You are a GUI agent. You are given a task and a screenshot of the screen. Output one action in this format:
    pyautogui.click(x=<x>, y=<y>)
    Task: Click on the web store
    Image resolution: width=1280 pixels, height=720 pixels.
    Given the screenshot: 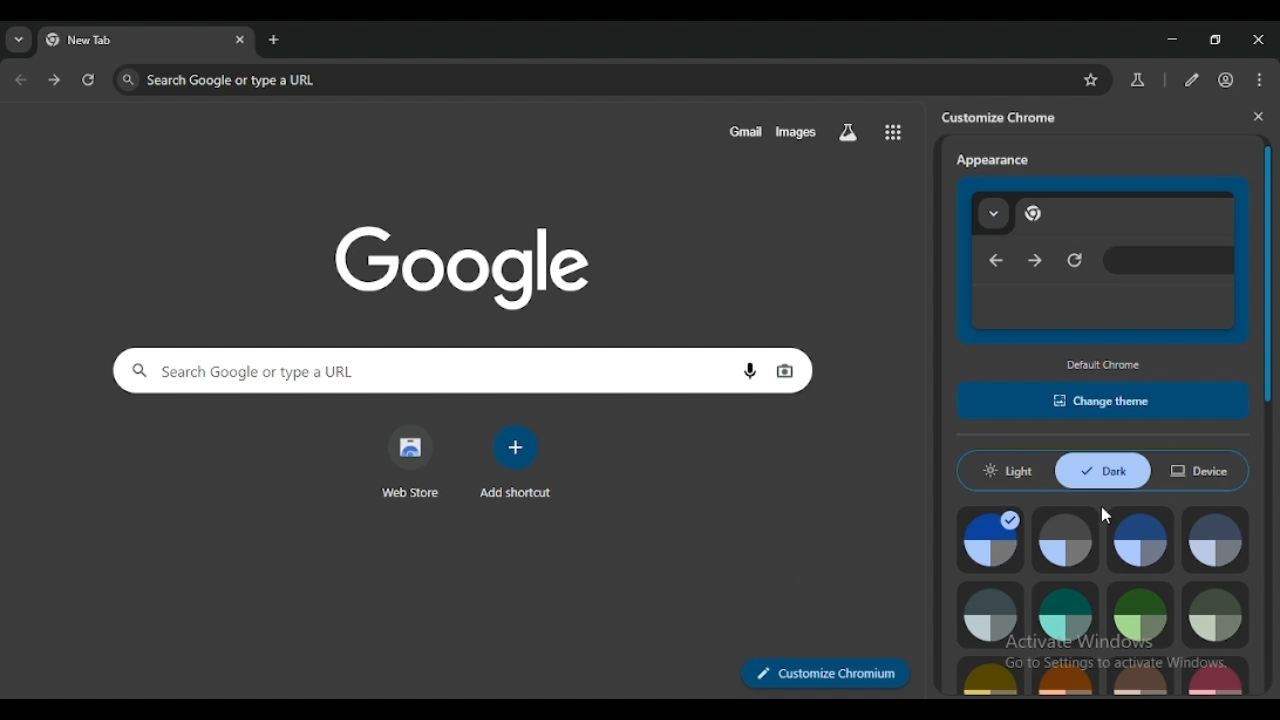 What is the action you would take?
    pyautogui.click(x=413, y=460)
    